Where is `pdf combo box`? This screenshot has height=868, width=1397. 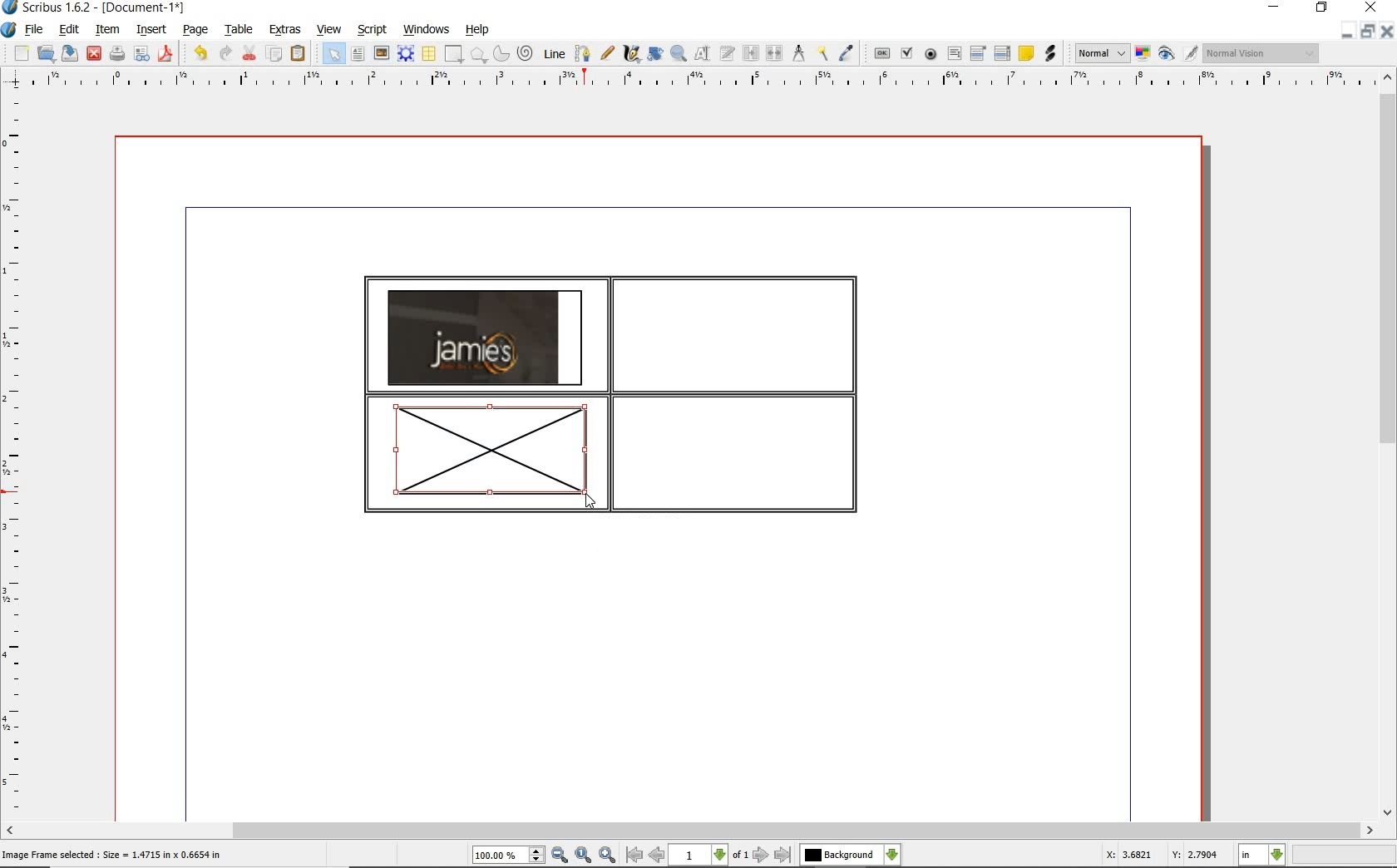 pdf combo box is located at coordinates (980, 54).